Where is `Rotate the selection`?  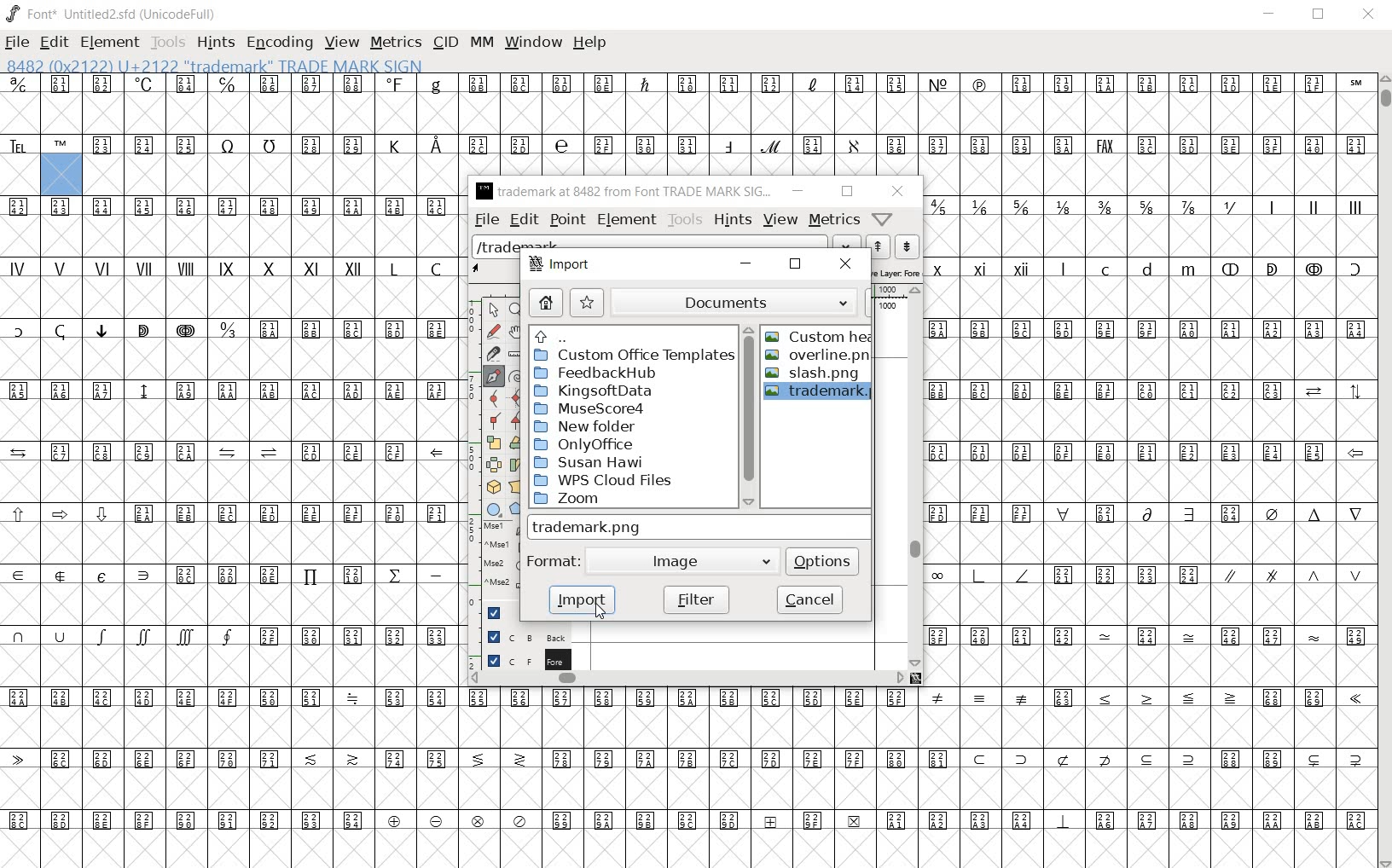 Rotate the selection is located at coordinates (516, 443).